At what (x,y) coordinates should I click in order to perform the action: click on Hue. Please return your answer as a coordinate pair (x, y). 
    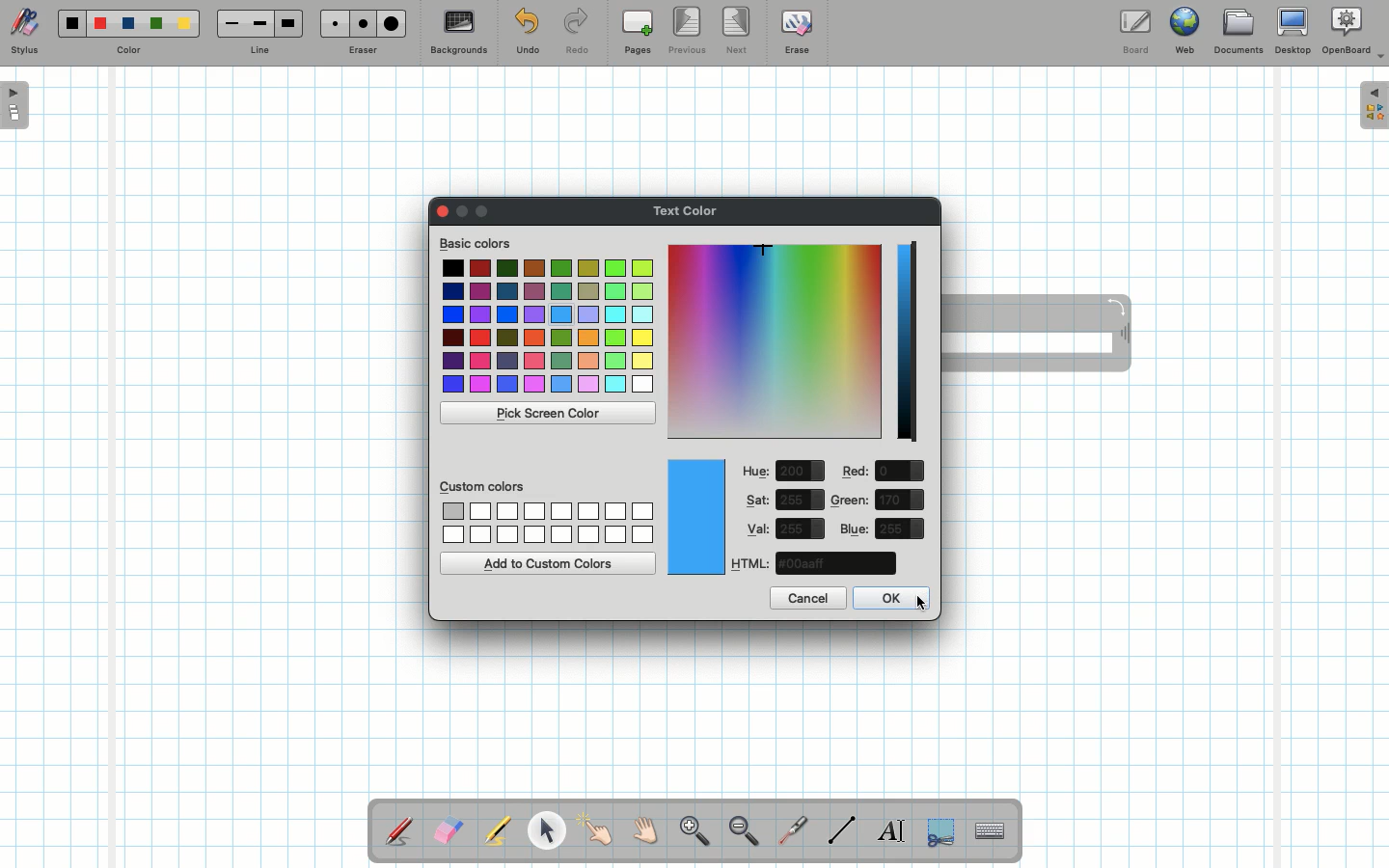
    Looking at the image, I should click on (757, 472).